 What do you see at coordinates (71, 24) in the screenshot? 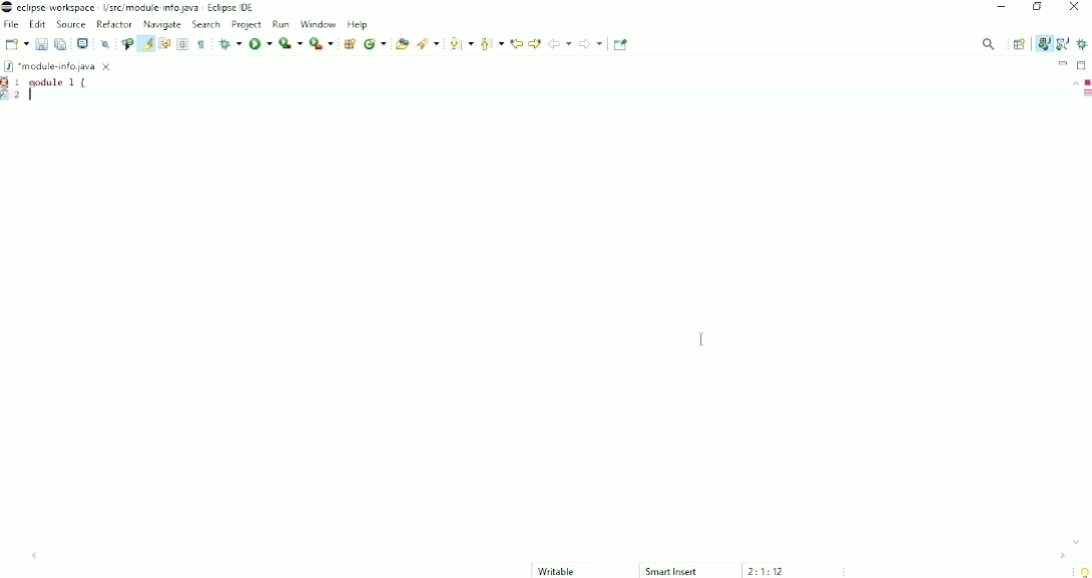
I see `Source` at bounding box center [71, 24].